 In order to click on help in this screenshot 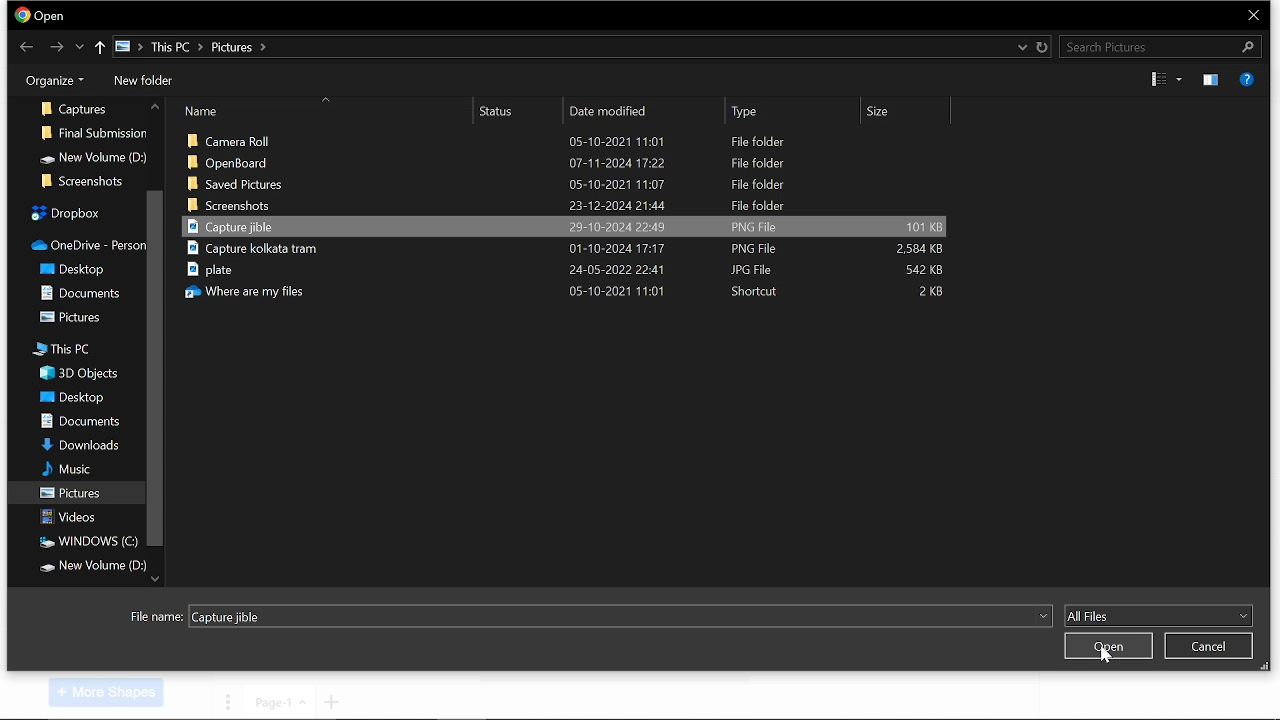, I will do `click(1248, 79)`.